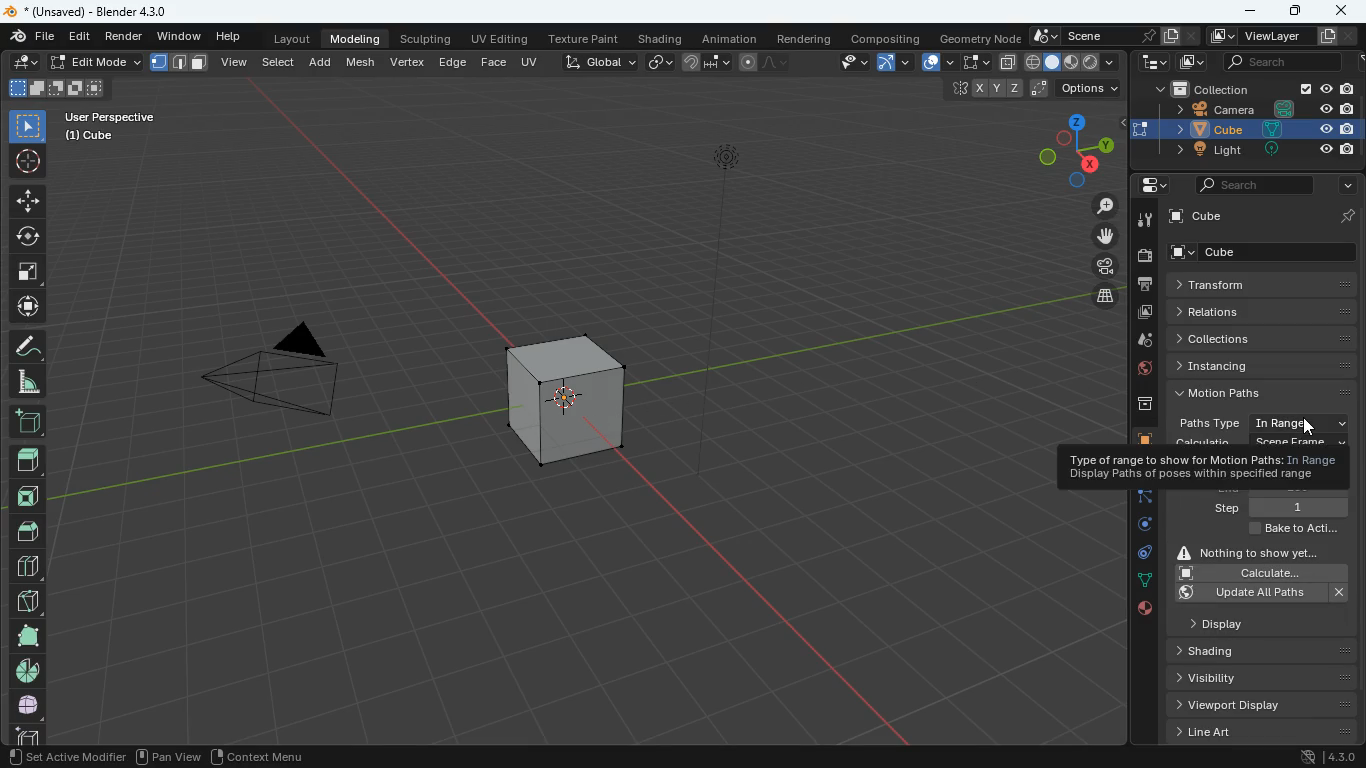 This screenshot has width=1366, height=768. Describe the element at coordinates (733, 39) in the screenshot. I see `animation` at that location.